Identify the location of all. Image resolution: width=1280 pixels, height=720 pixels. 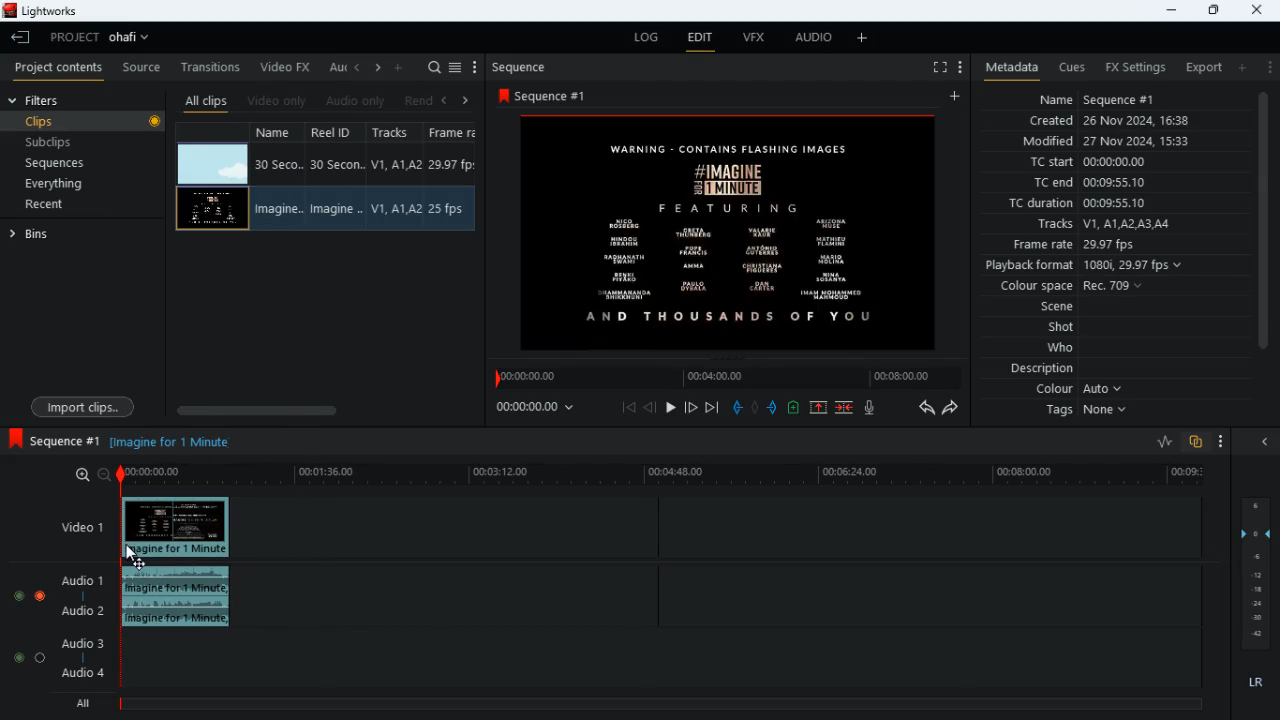
(87, 704).